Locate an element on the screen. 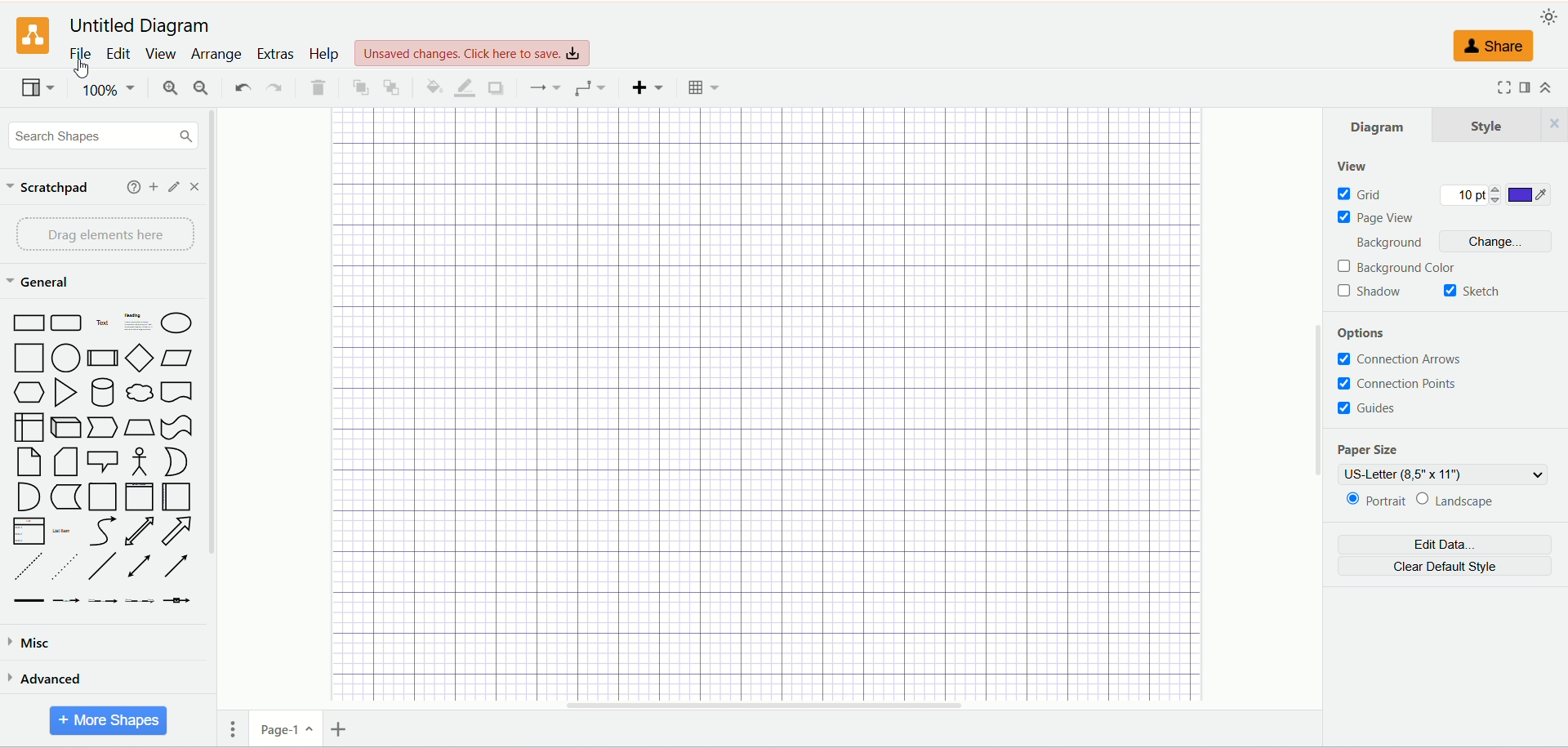 The image size is (1568, 748). search shapes is located at coordinates (103, 135).